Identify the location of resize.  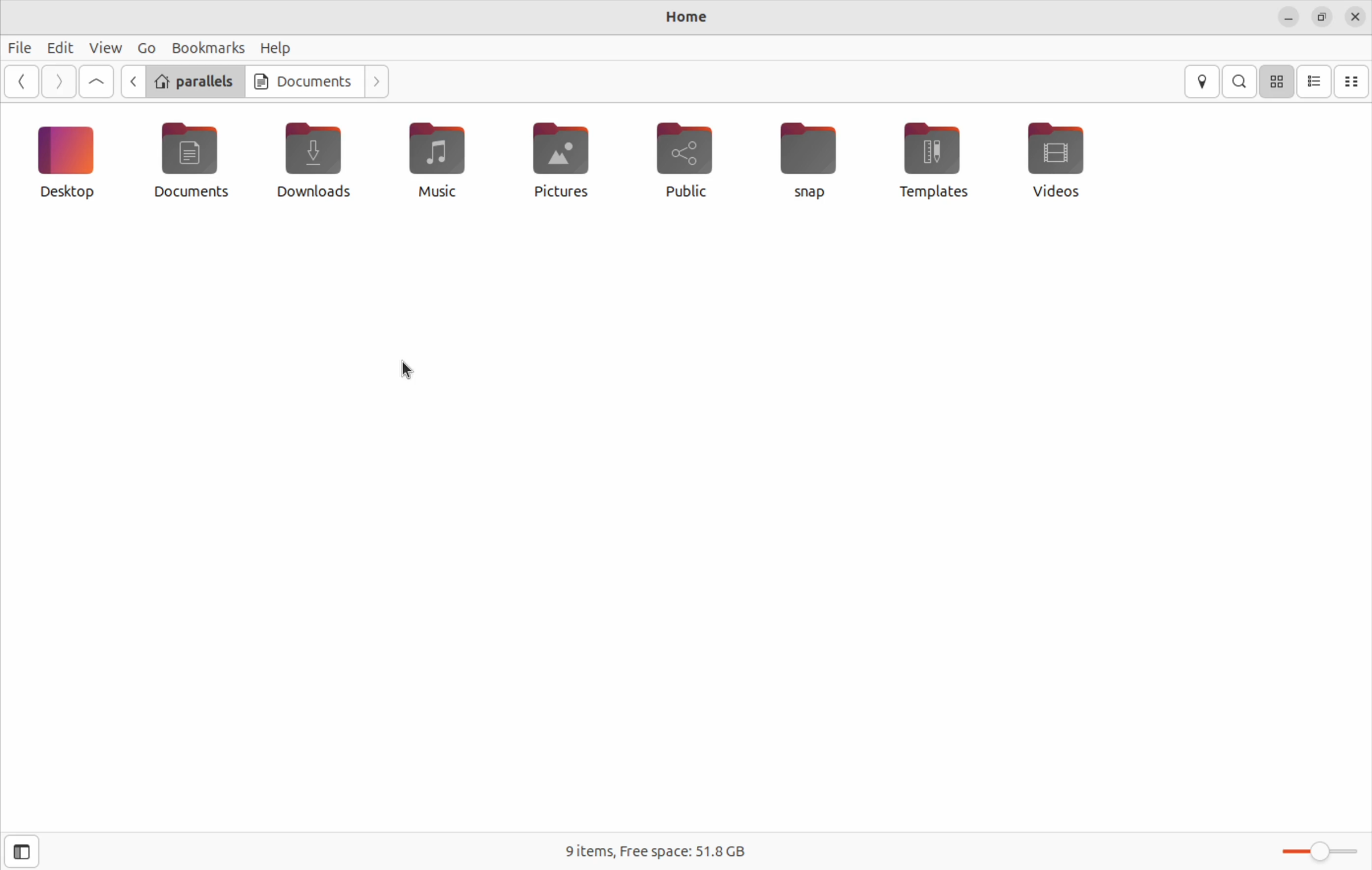
(1325, 19).